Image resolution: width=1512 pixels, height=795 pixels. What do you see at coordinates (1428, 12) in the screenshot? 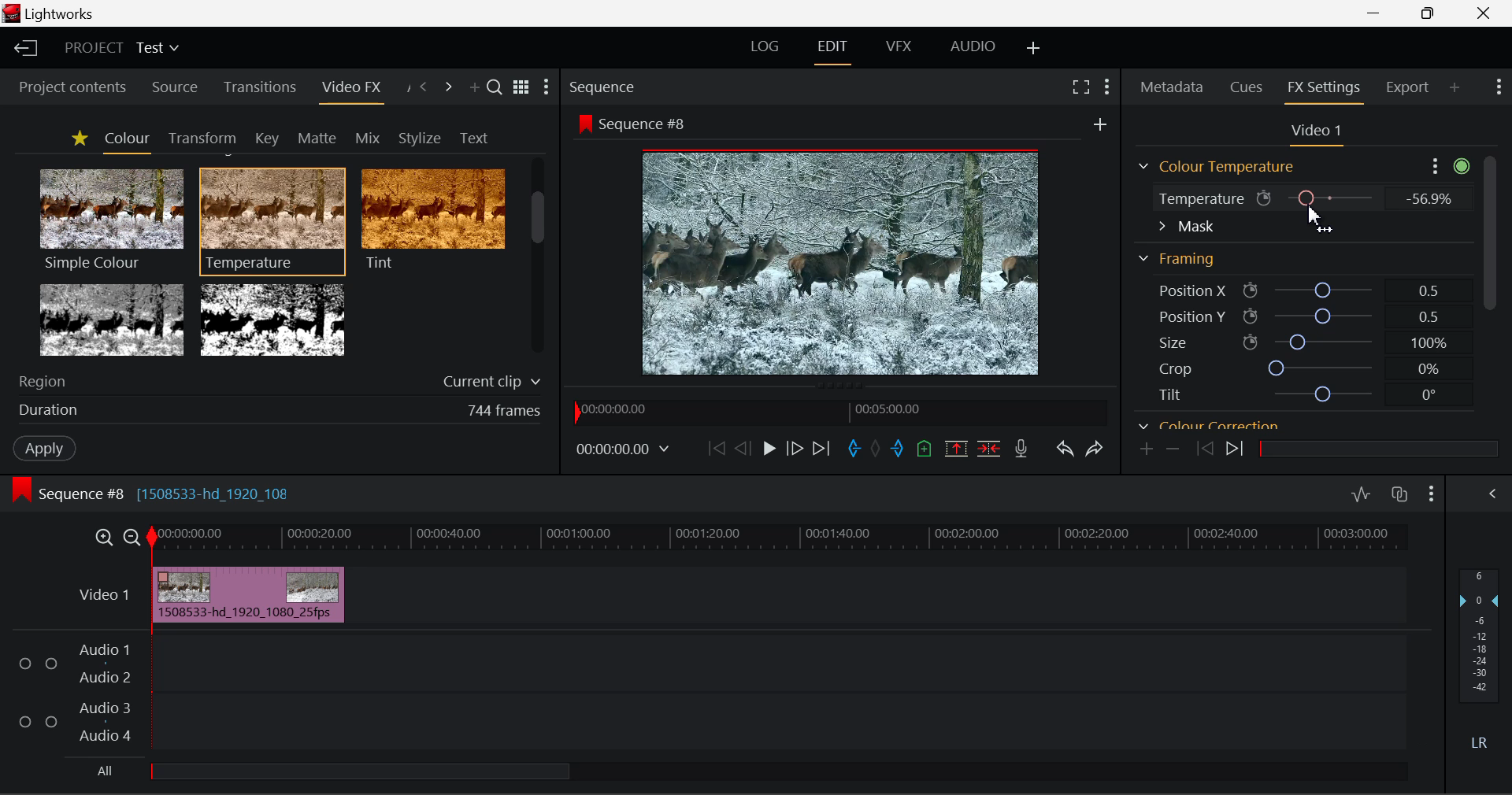
I see `Minimize` at bounding box center [1428, 12].